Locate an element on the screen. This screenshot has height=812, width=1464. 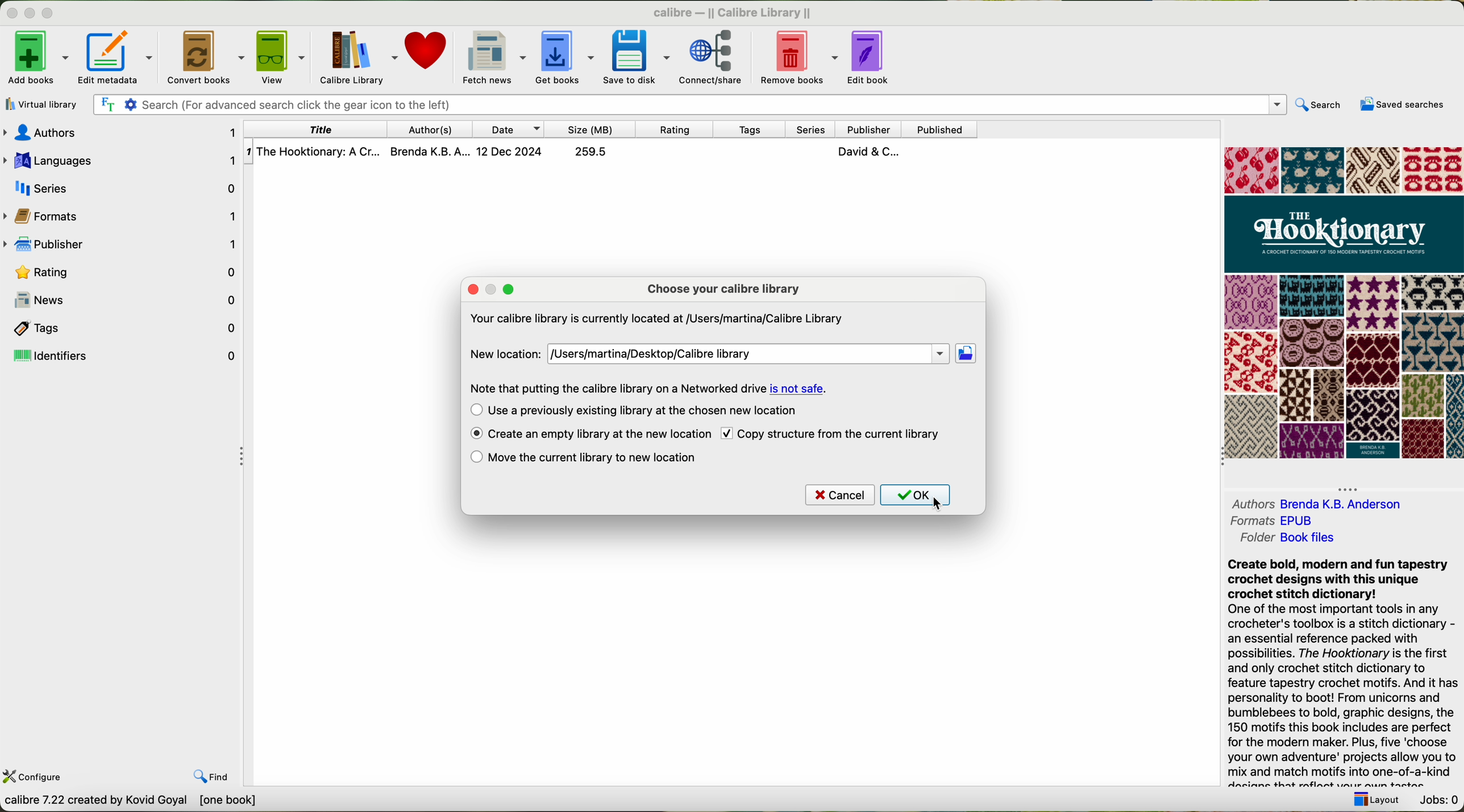
fetch news is located at coordinates (495, 58).